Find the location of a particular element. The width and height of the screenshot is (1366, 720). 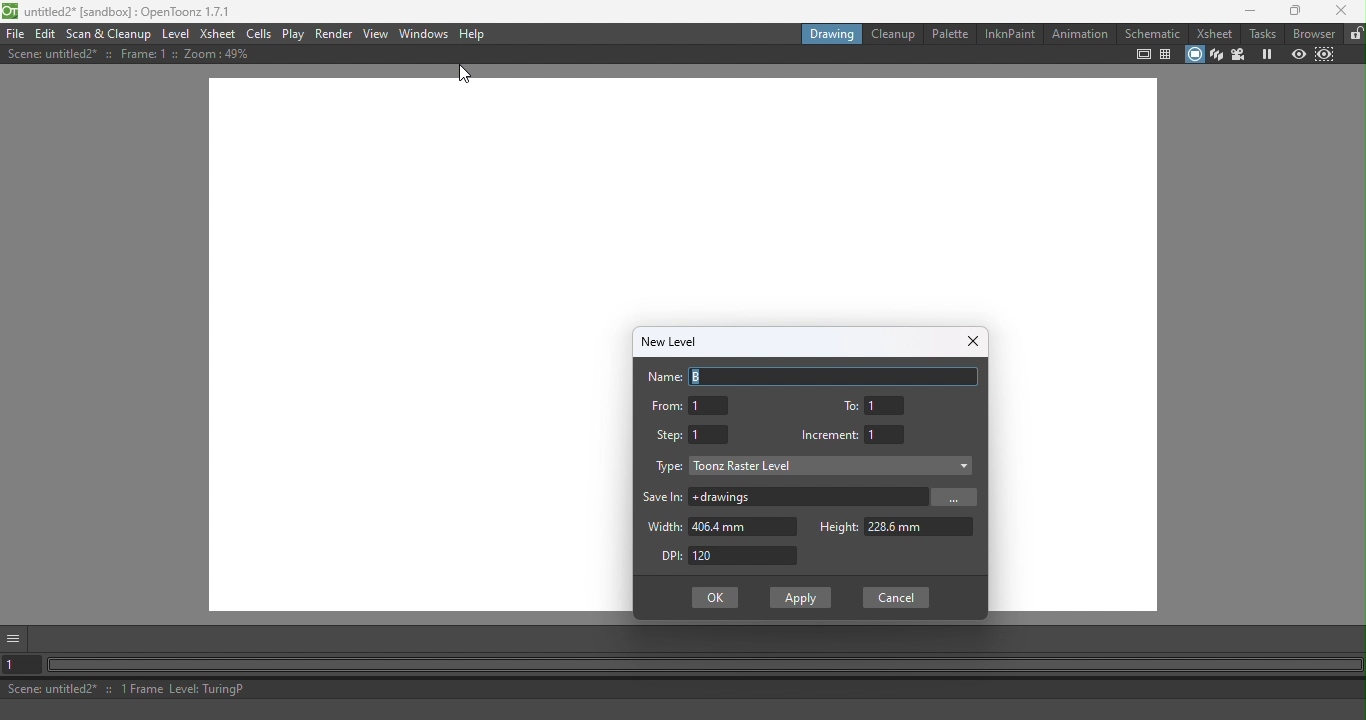

Drawing is located at coordinates (832, 34).